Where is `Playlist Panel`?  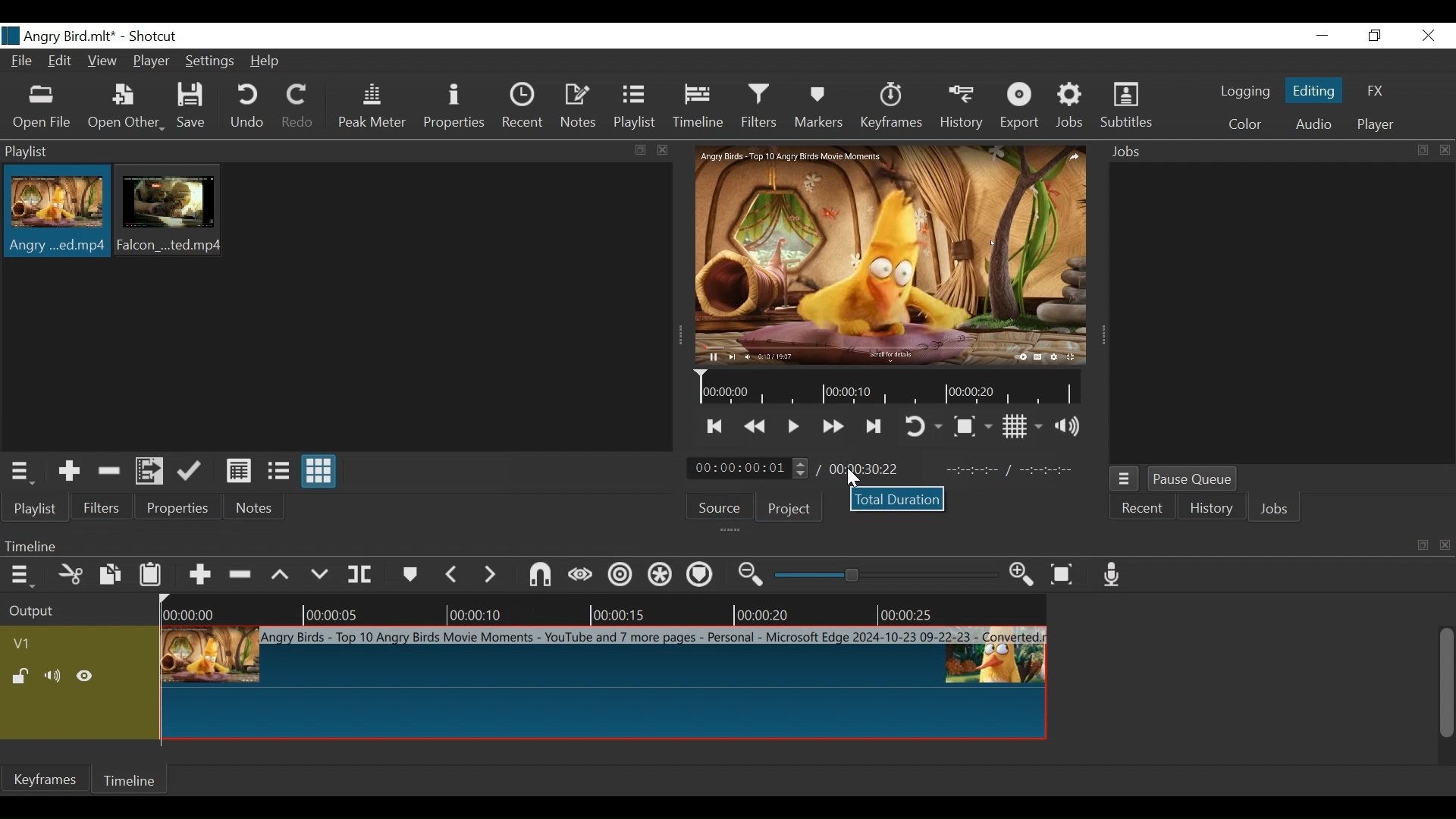
Playlist Panel is located at coordinates (337, 151).